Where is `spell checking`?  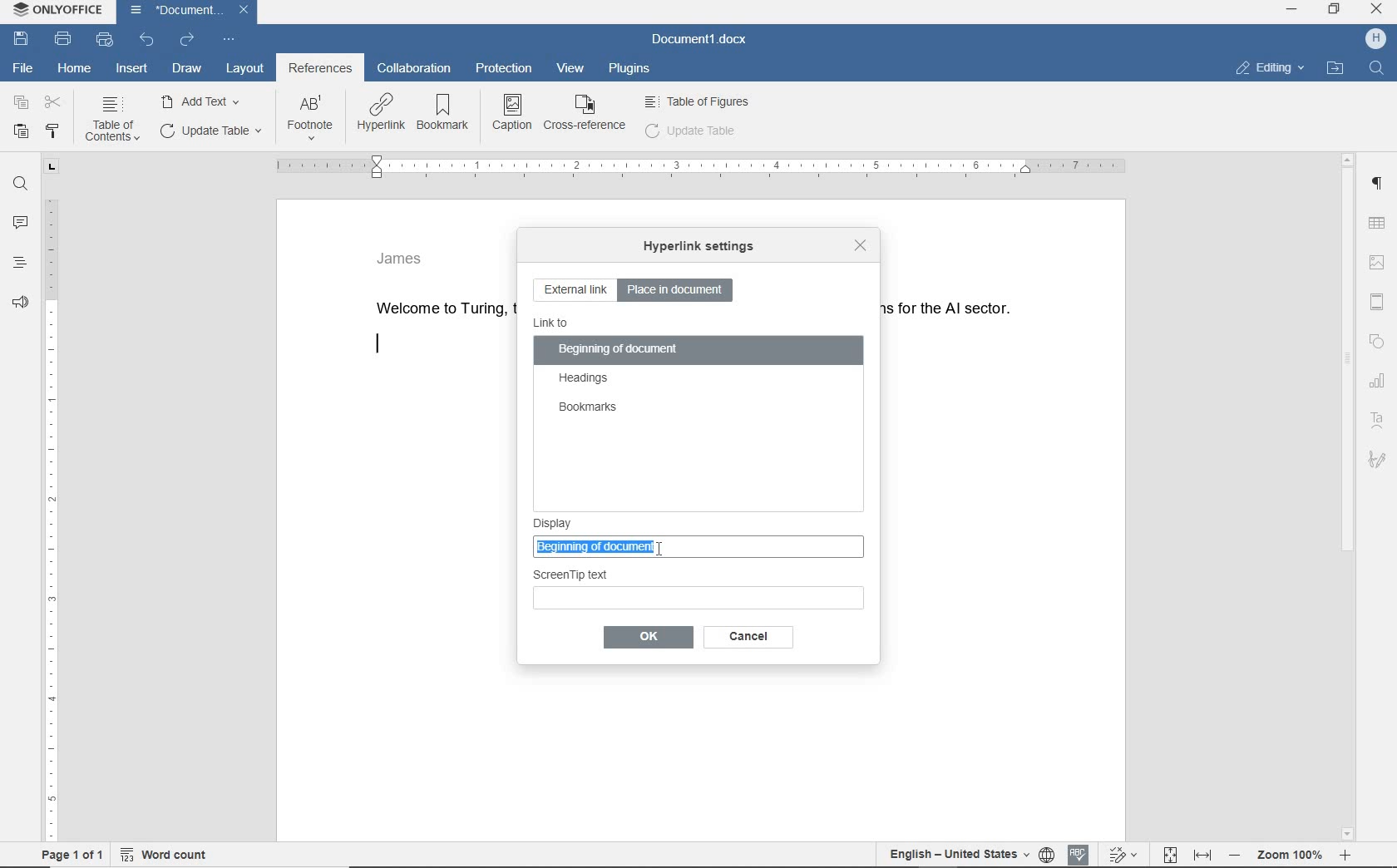
spell checking is located at coordinates (1079, 854).